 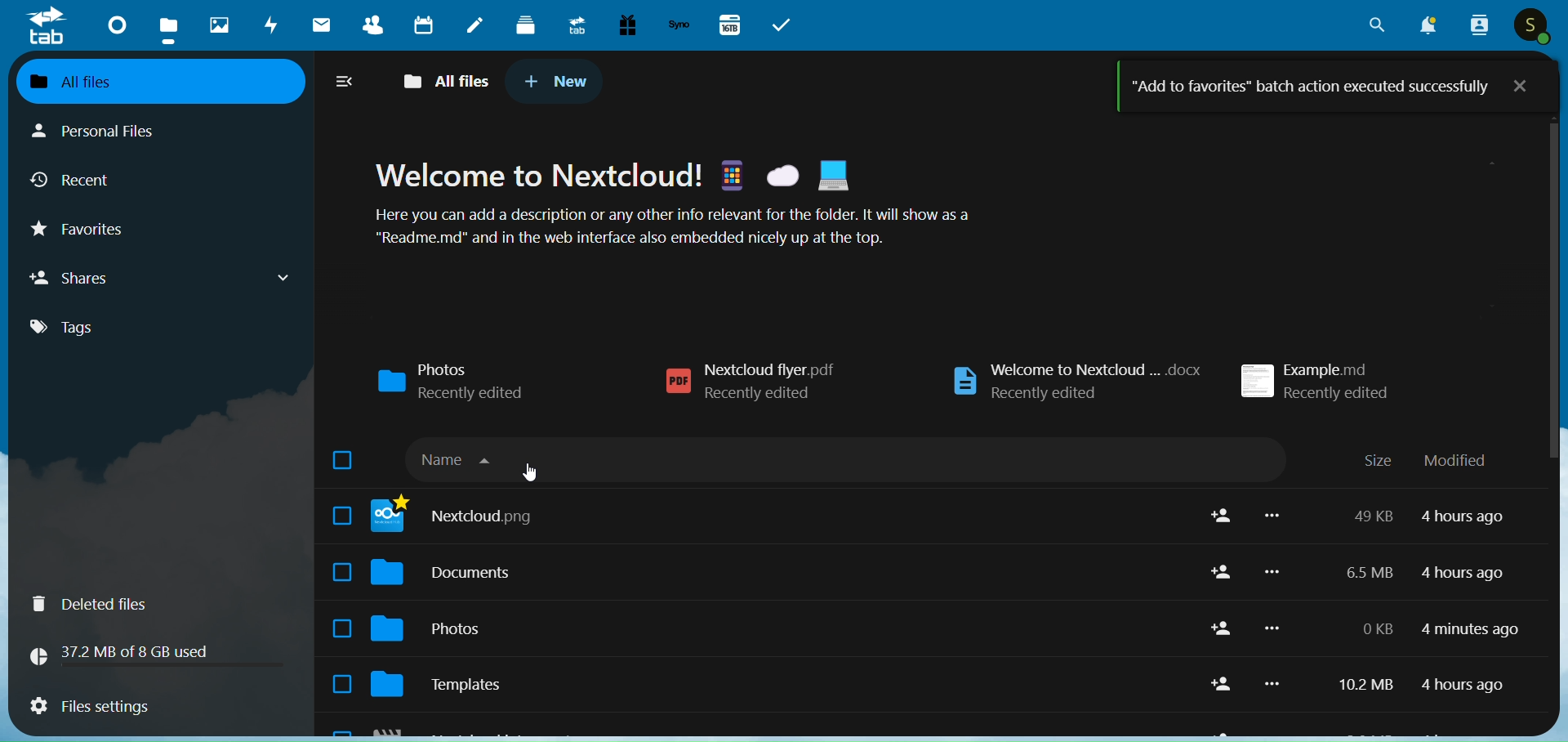 What do you see at coordinates (1428, 516) in the screenshot?
I see `49KB 4 hours ago` at bounding box center [1428, 516].